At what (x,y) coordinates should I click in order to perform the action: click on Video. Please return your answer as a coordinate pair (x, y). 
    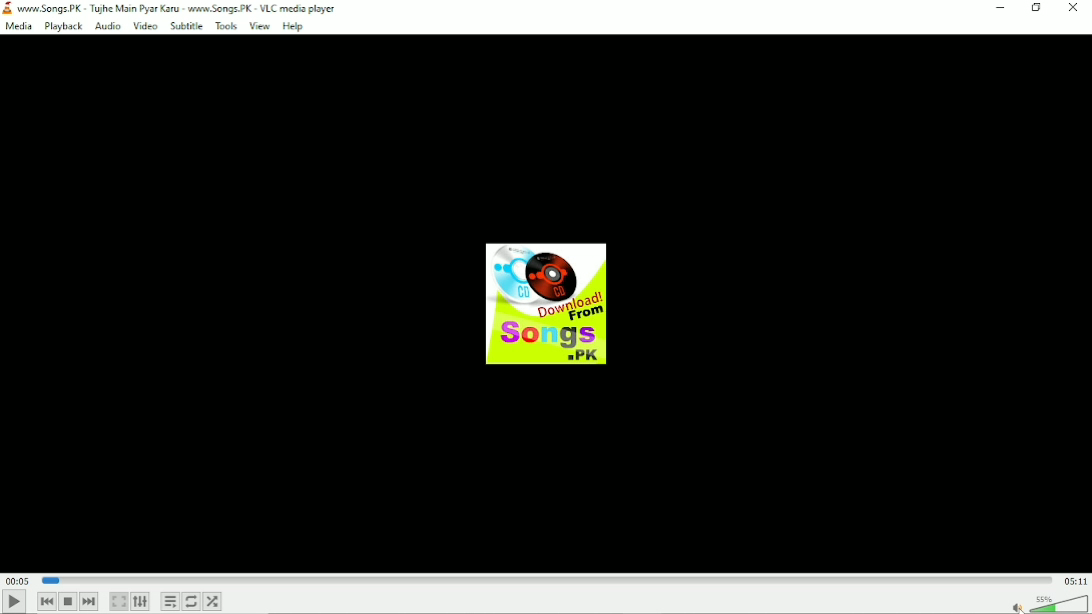
    Looking at the image, I should click on (144, 26).